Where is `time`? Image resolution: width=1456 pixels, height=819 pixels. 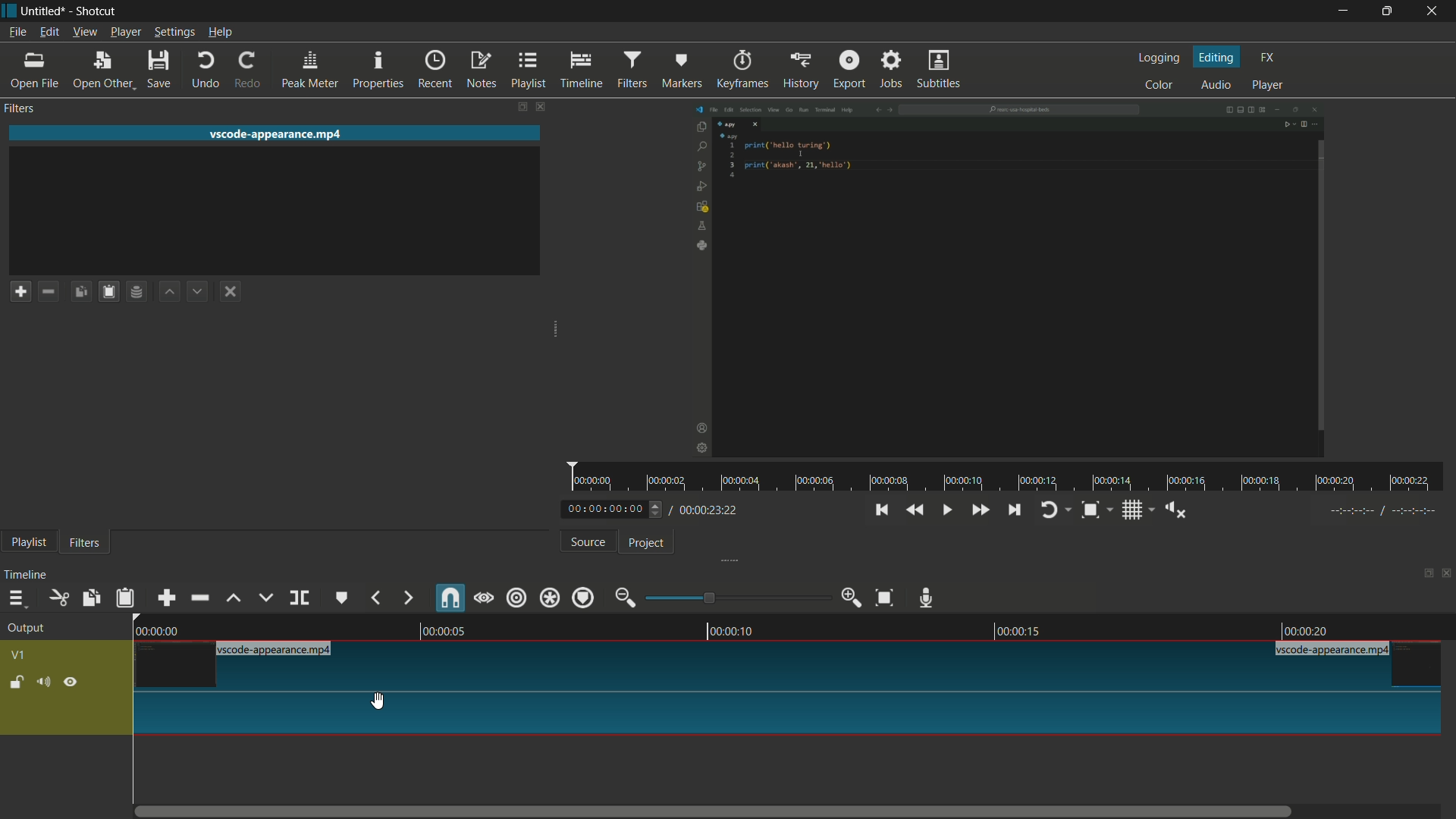
time is located at coordinates (1012, 475).